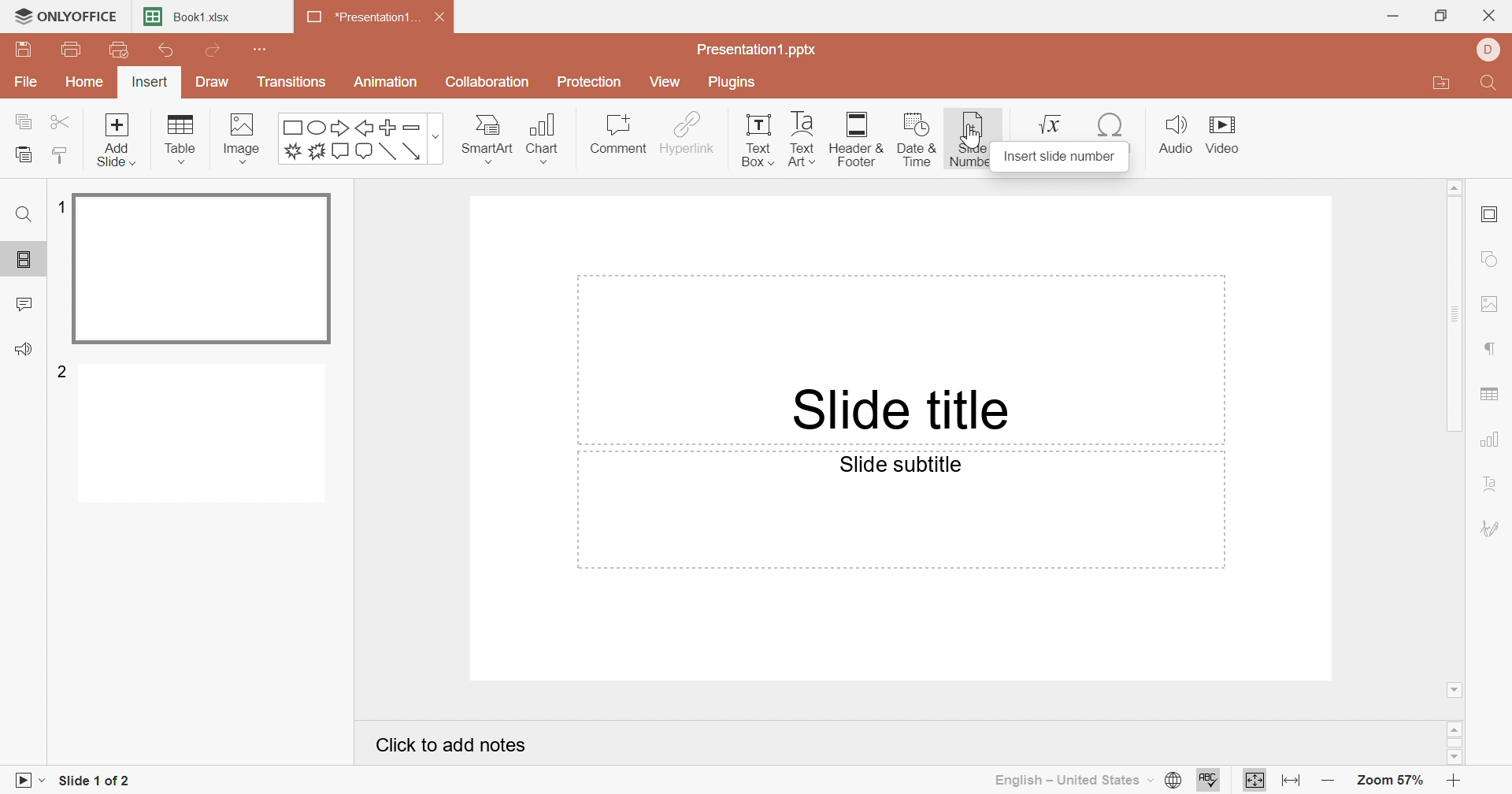  Describe the element at coordinates (1492, 350) in the screenshot. I see `Paragraph settings` at that location.